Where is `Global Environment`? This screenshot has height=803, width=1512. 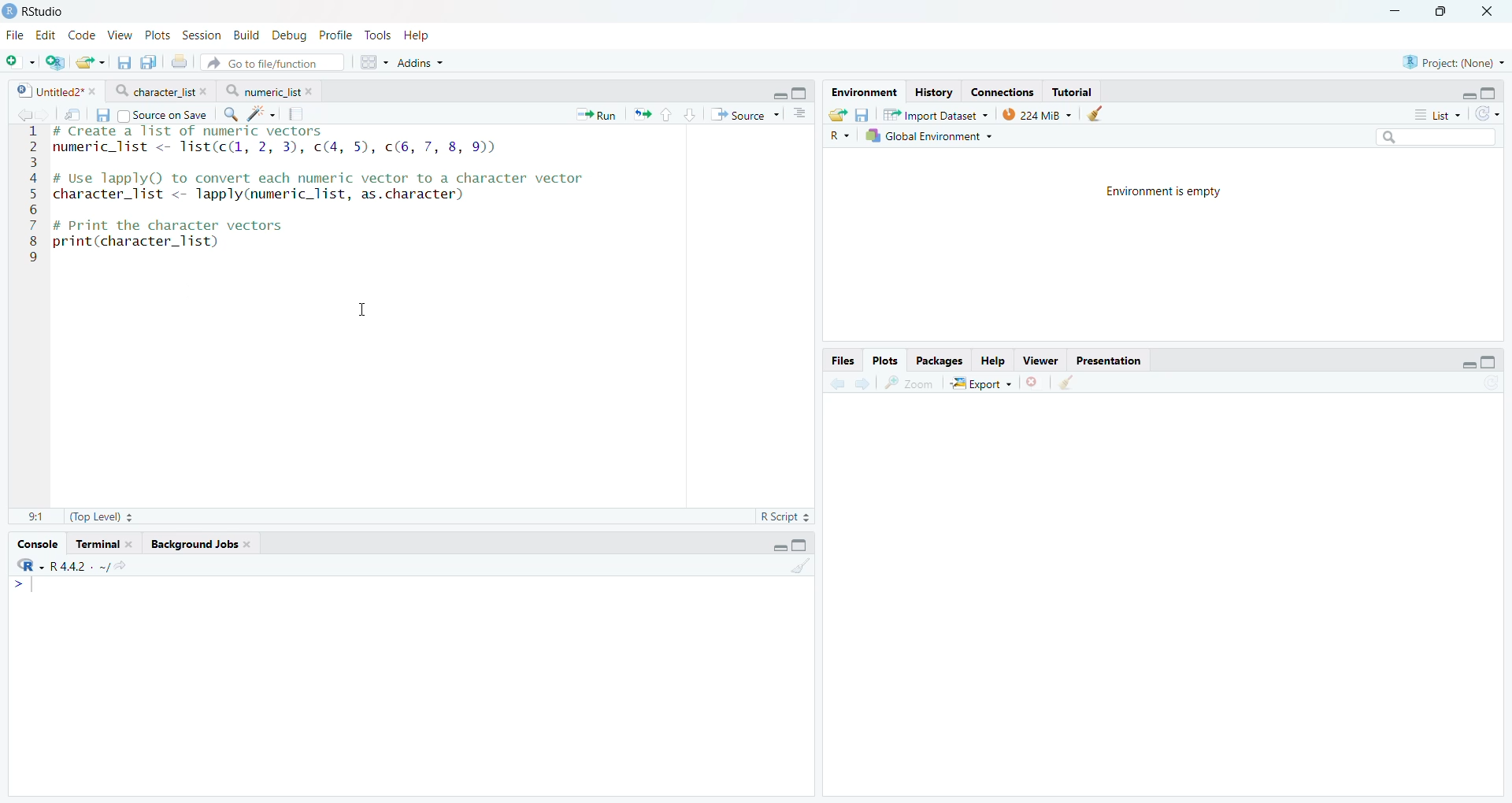 Global Environment is located at coordinates (928, 137).